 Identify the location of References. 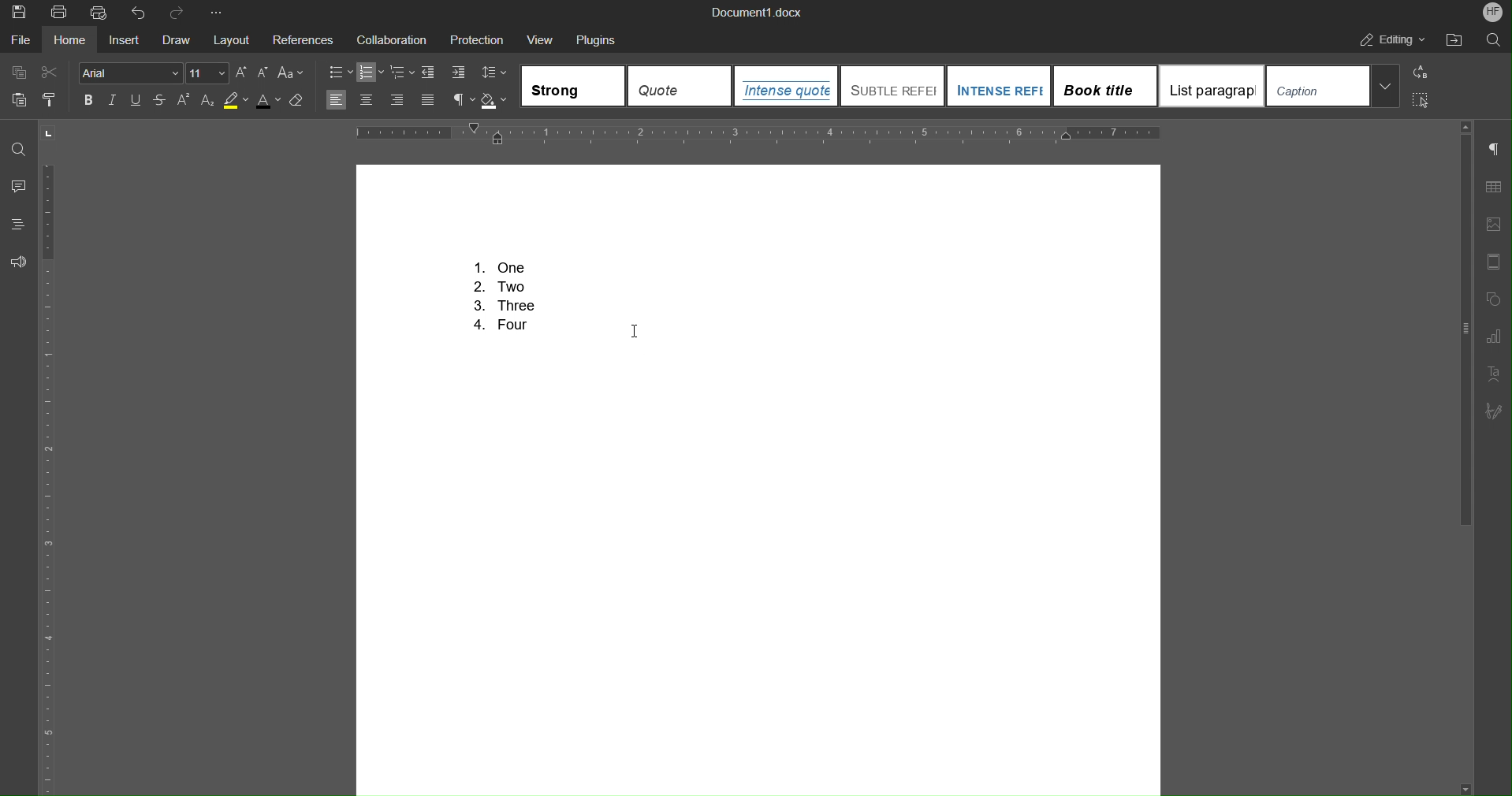
(302, 37).